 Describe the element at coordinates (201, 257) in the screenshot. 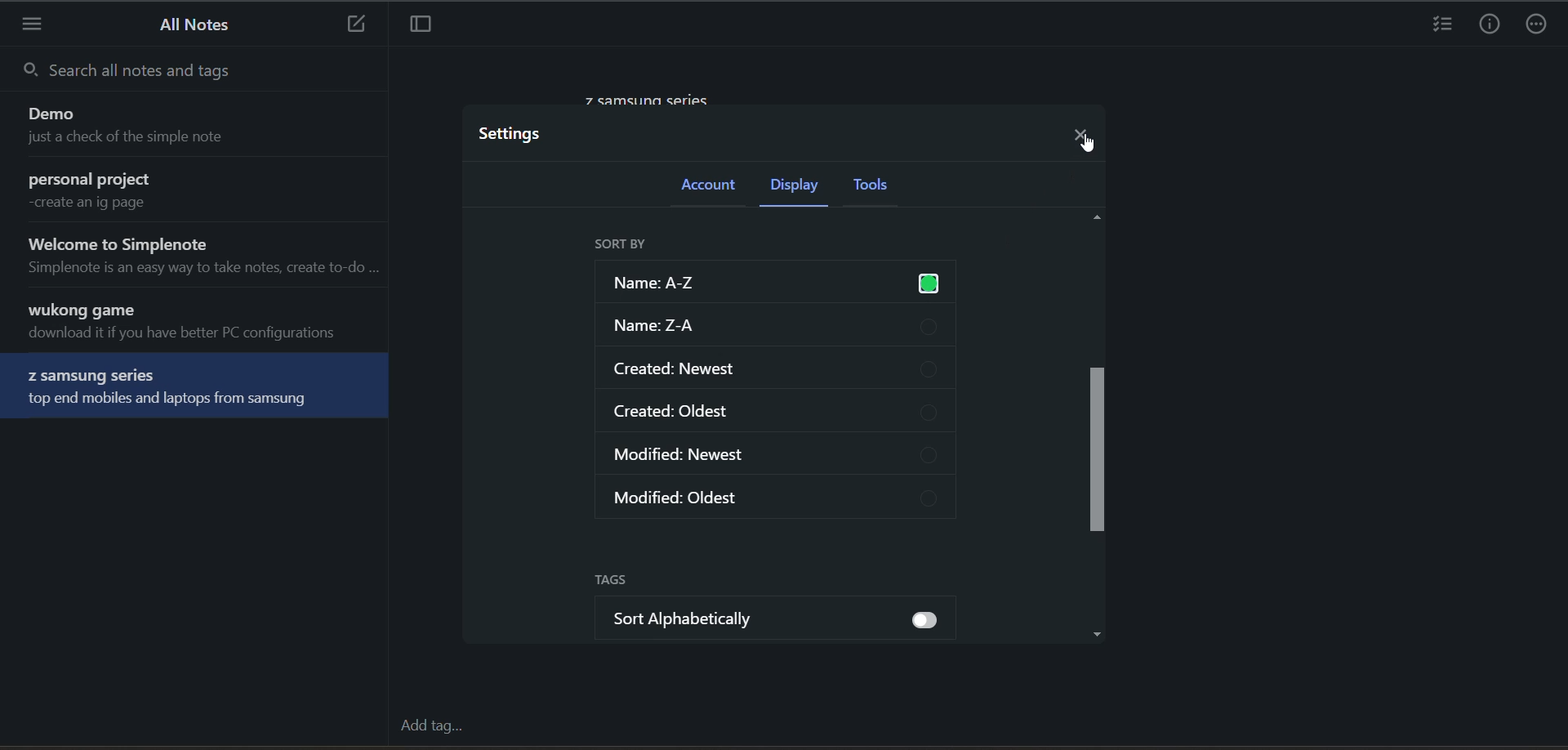

I see `Welcome to Simplenote
Simplenote is an easy way to take notes, create to-do ...` at that location.